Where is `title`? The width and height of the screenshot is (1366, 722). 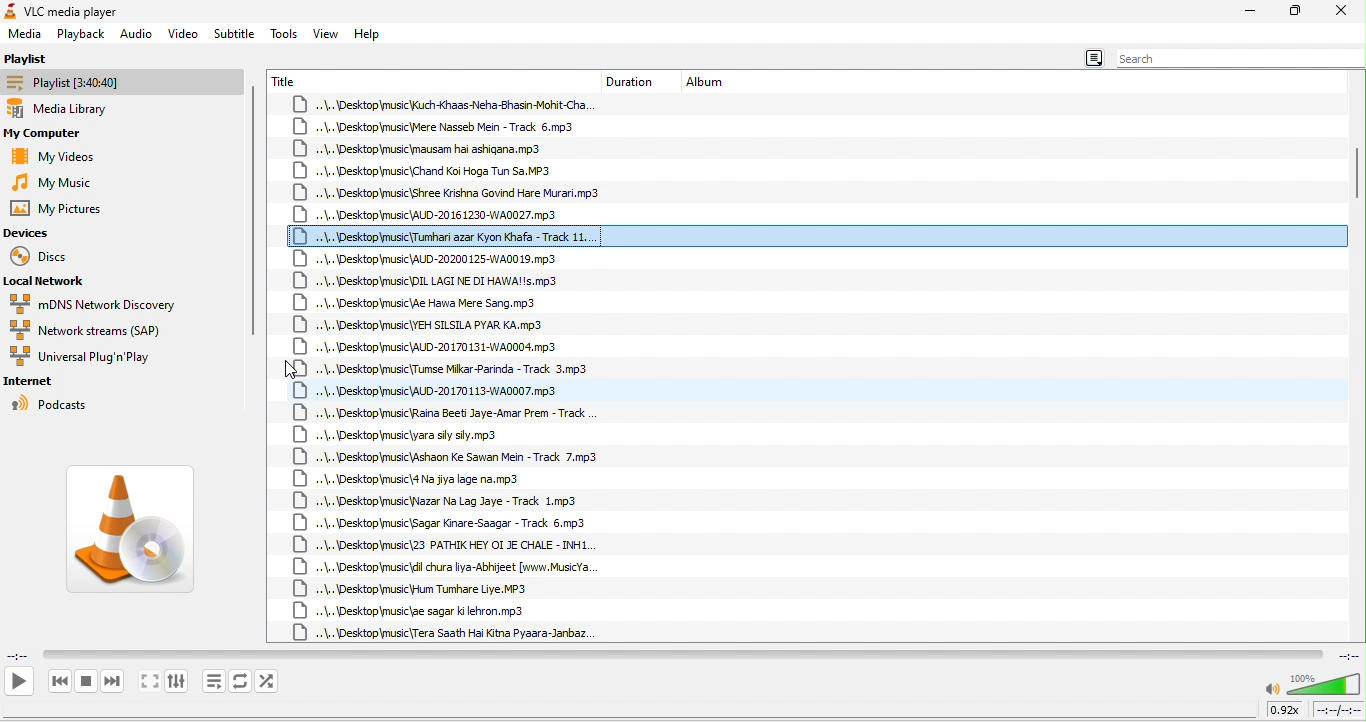
title is located at coordinates (288, 80).